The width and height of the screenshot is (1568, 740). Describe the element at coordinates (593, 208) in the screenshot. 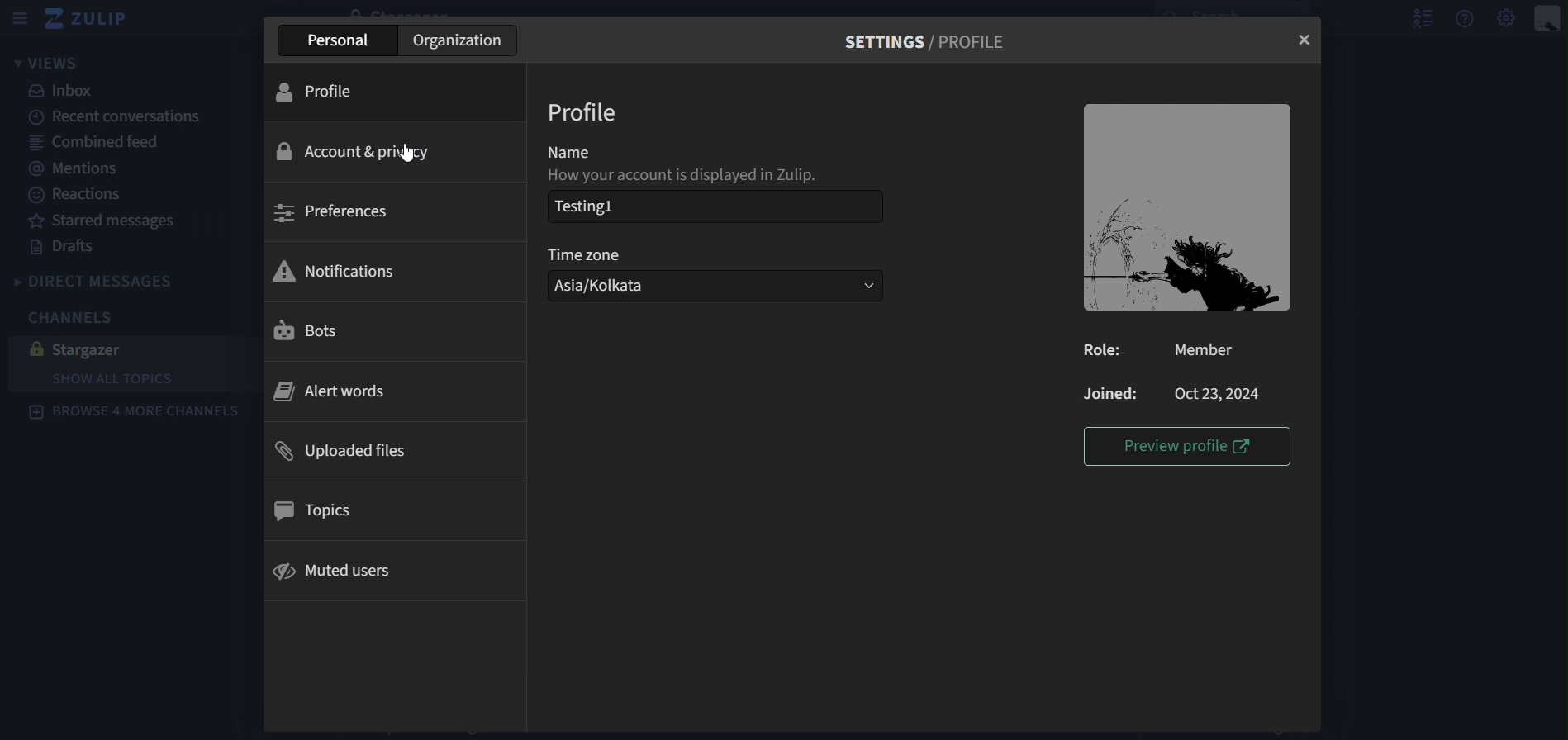

I see `Testing` at that location.